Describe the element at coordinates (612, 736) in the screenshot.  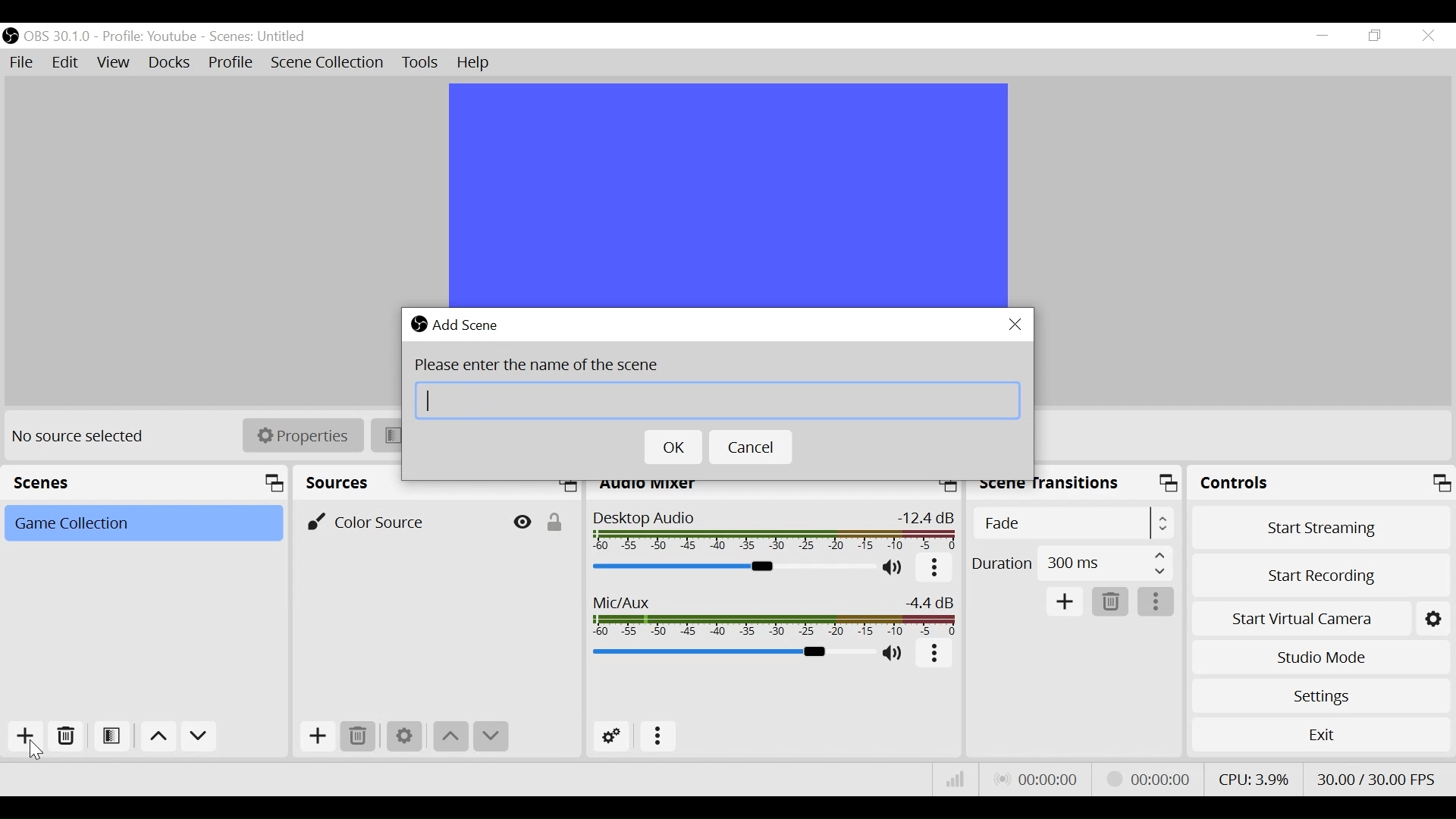
I see `Advanced Setting` at that location.